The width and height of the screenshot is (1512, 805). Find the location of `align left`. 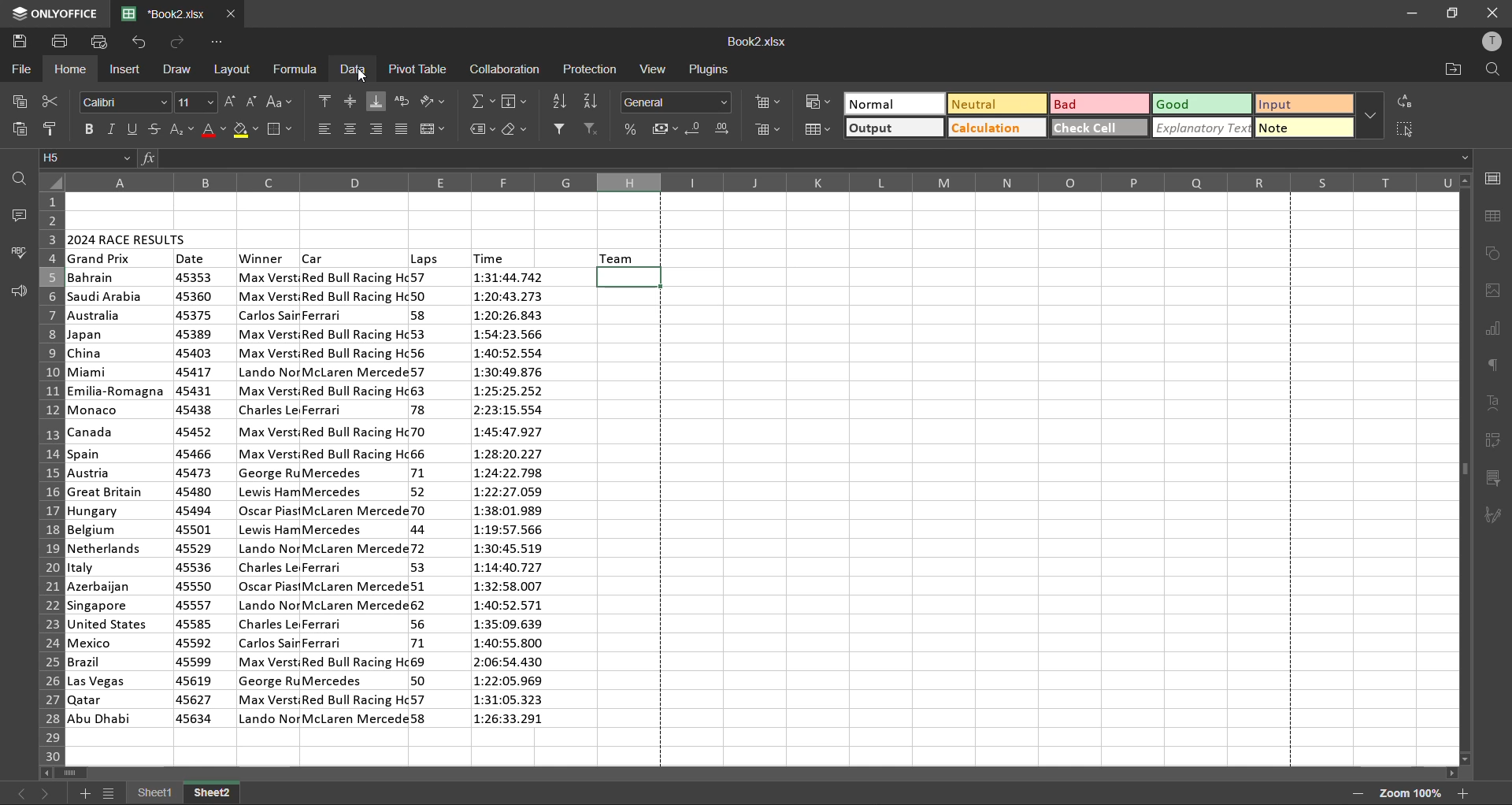

align left is located at coordinates (322, 129).